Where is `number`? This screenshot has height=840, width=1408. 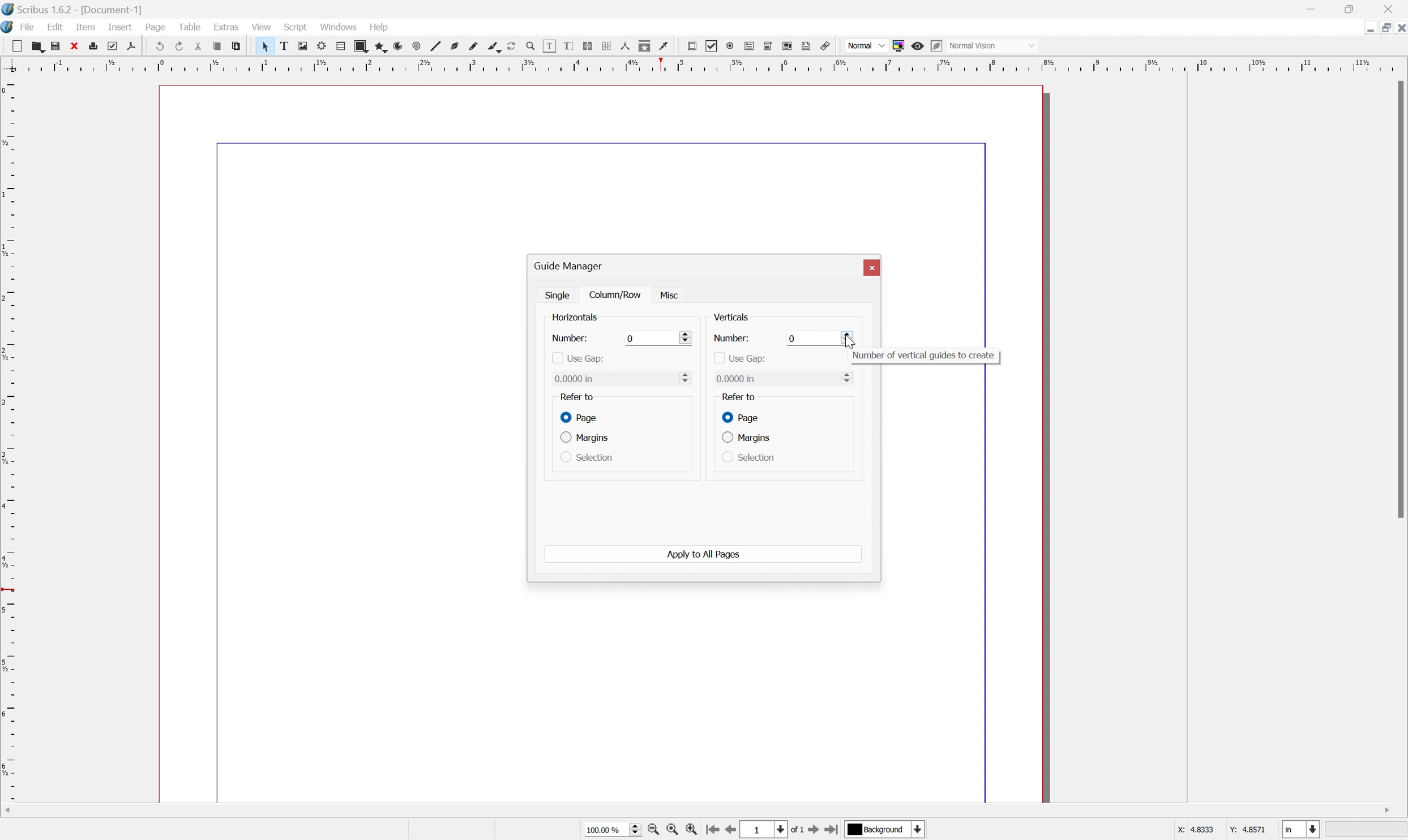
number is located at coordinates (571, 338).